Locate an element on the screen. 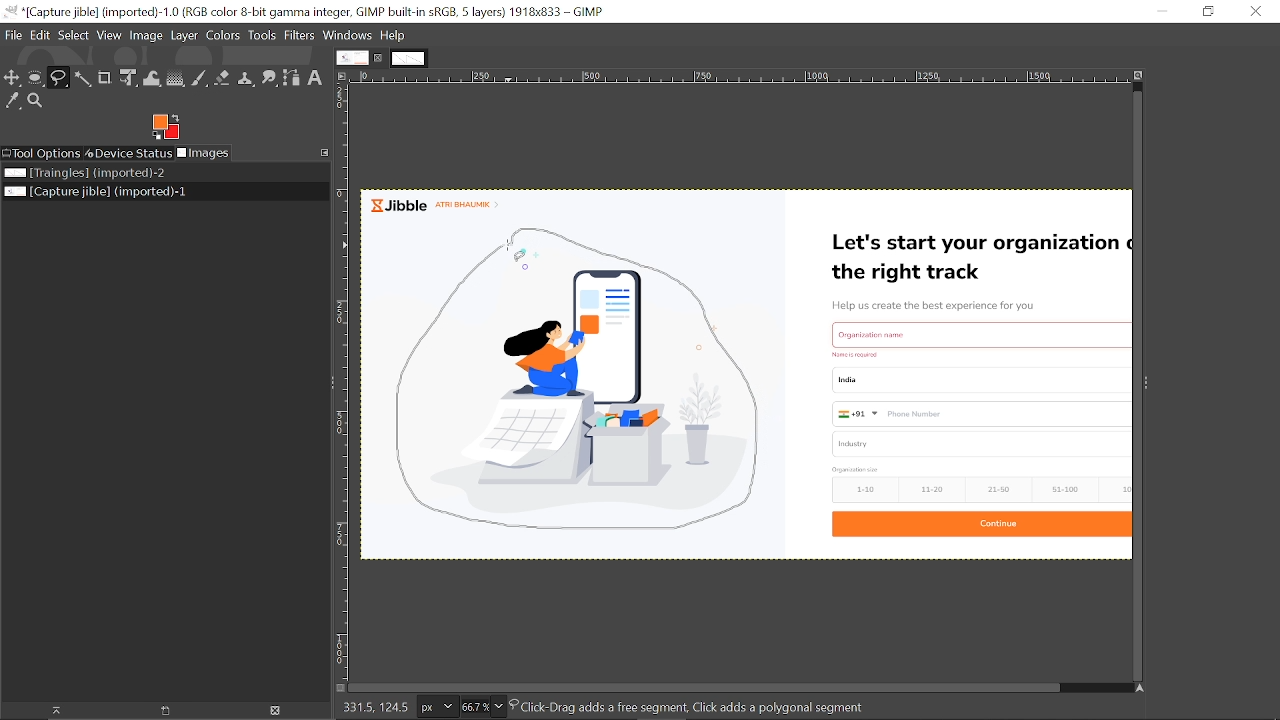  Free select tool is located at coordinates (60, 79).